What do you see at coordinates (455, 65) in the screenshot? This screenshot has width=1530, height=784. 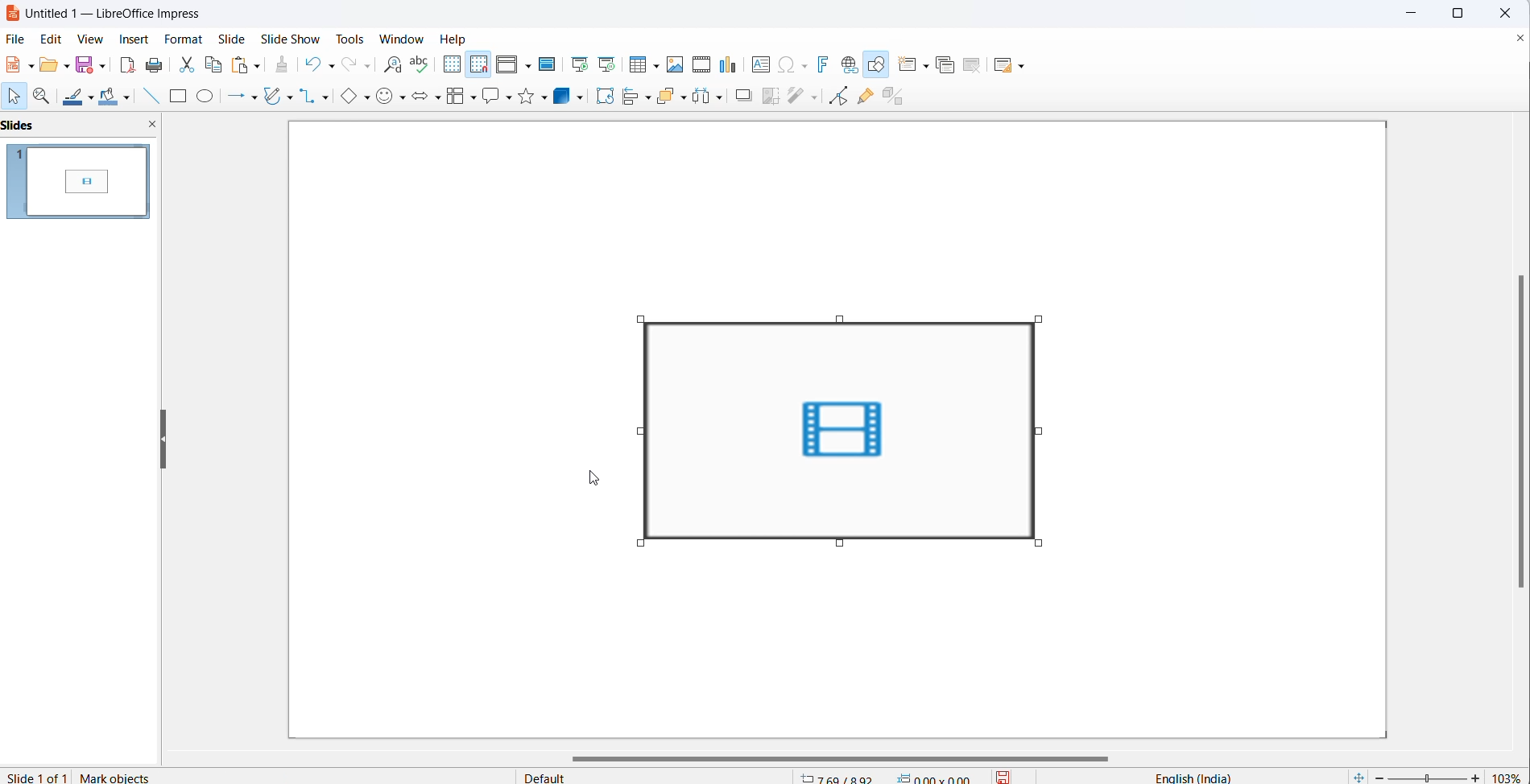 I see `display grid` at bounding box center [455, 65].